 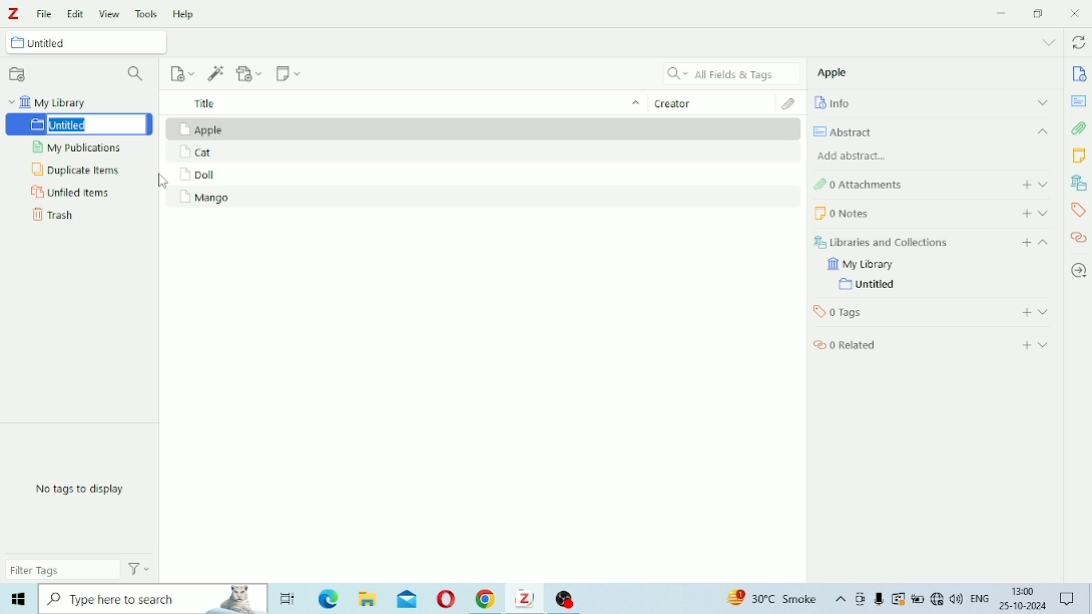 What do you see at coordinates (81, 488) in the screenshot?
I see `No tags to display` at bounding box center [81, 488].